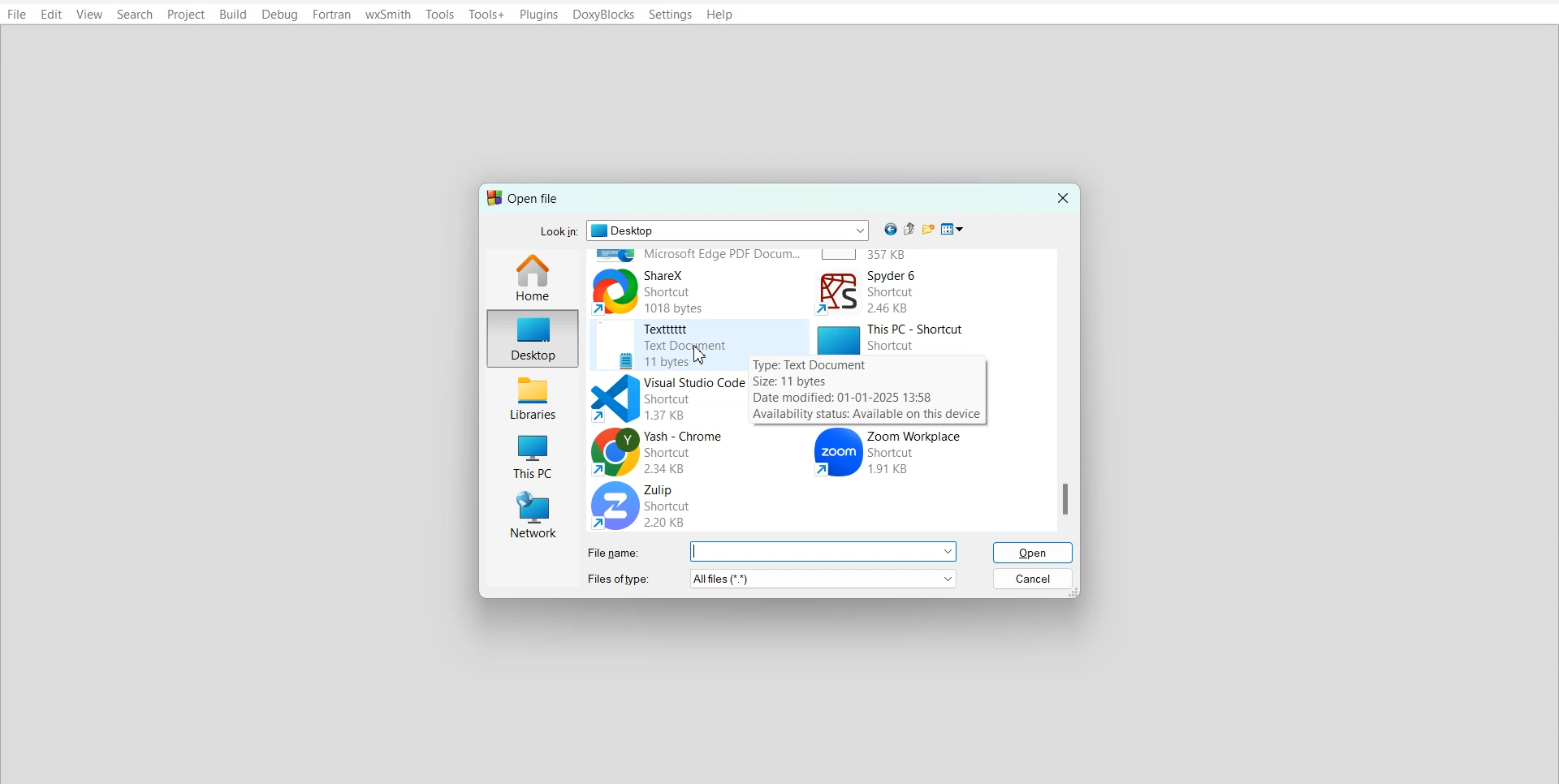  What do you see at coordinates (1065, 500) in the screenshot?
I see `scroll down` at bounding box center [1065, 500].